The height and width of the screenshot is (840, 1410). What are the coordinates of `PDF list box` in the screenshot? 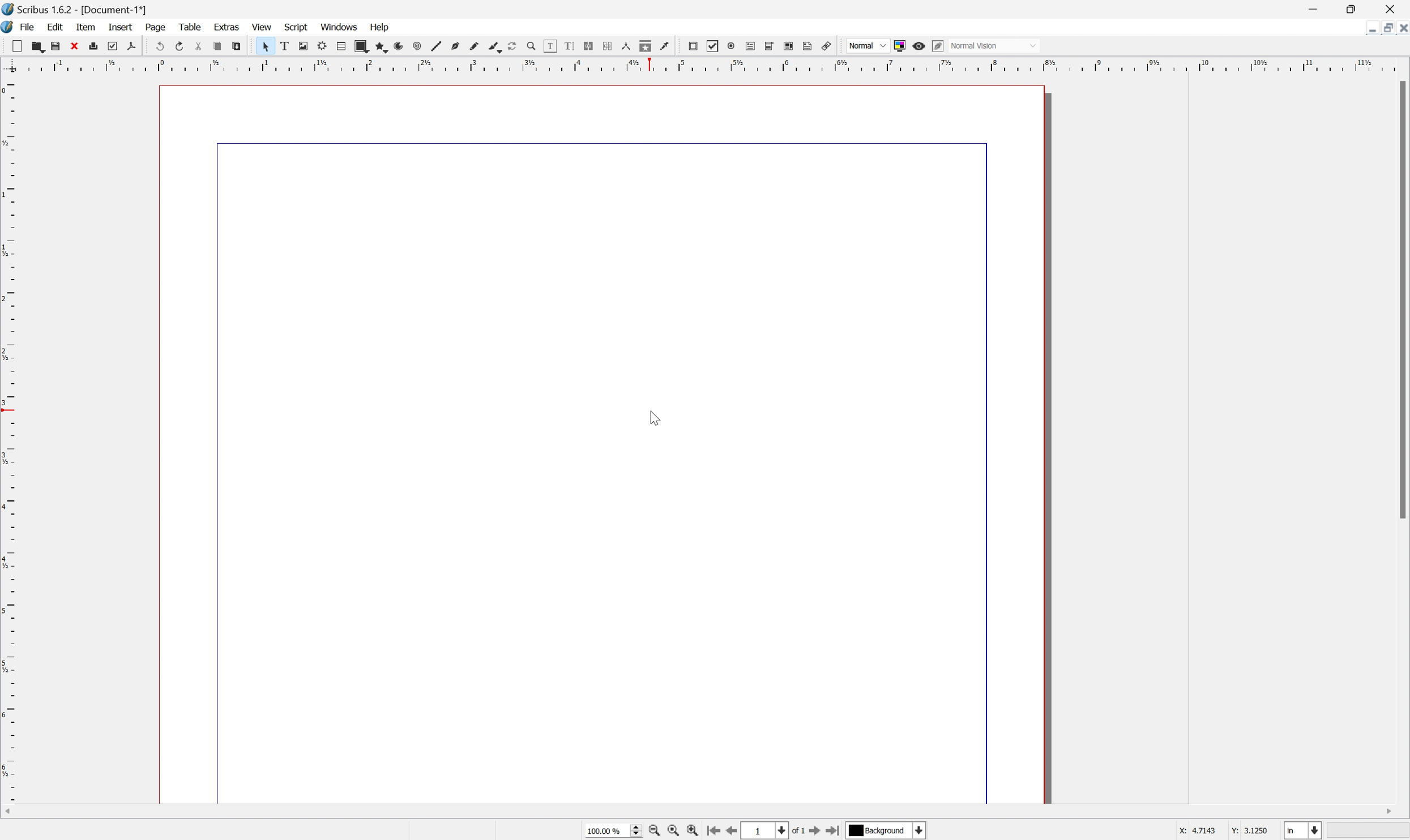 It's located at (788, 45).